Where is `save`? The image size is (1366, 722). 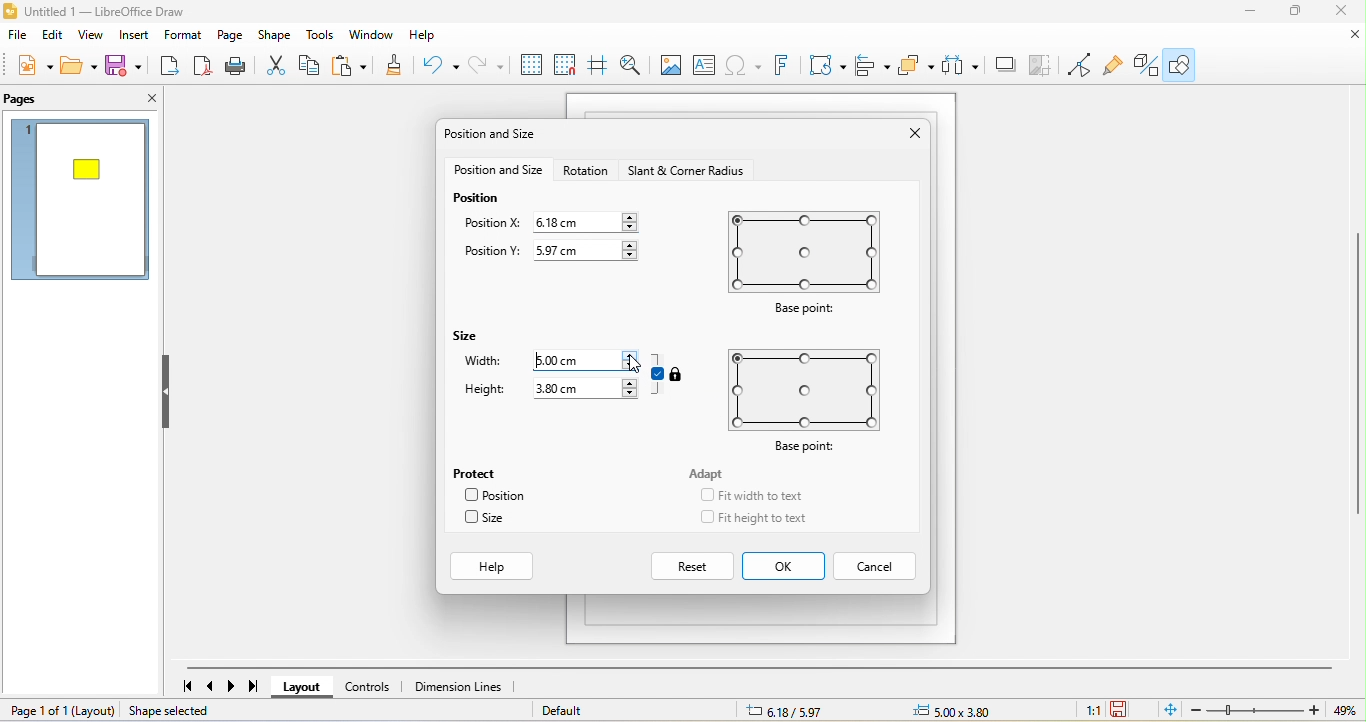 save is located at coordinates (125, 67).